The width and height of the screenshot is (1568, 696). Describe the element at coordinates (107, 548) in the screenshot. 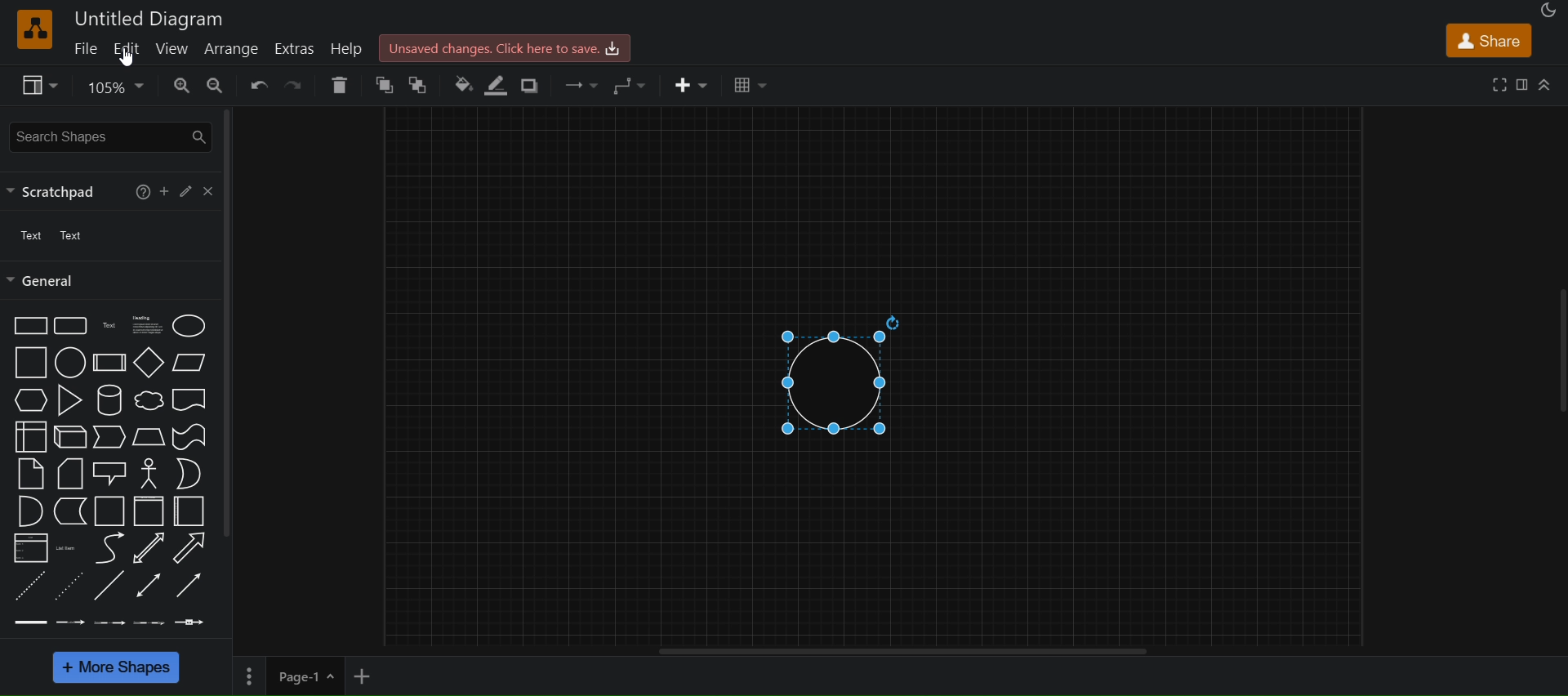

I see `curve` at that location.